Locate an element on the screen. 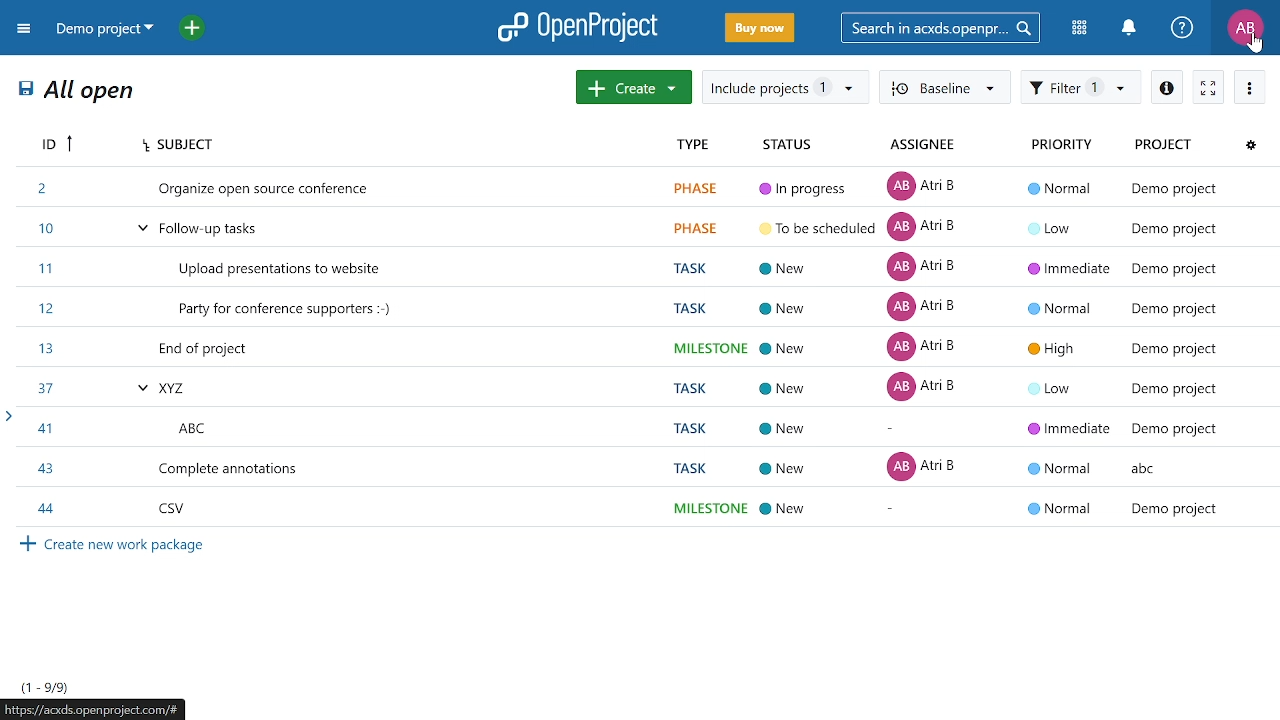 This screenshot has height=720, width=1280. task titled "Party for conference supporters" is located at coordinates (642, 310).